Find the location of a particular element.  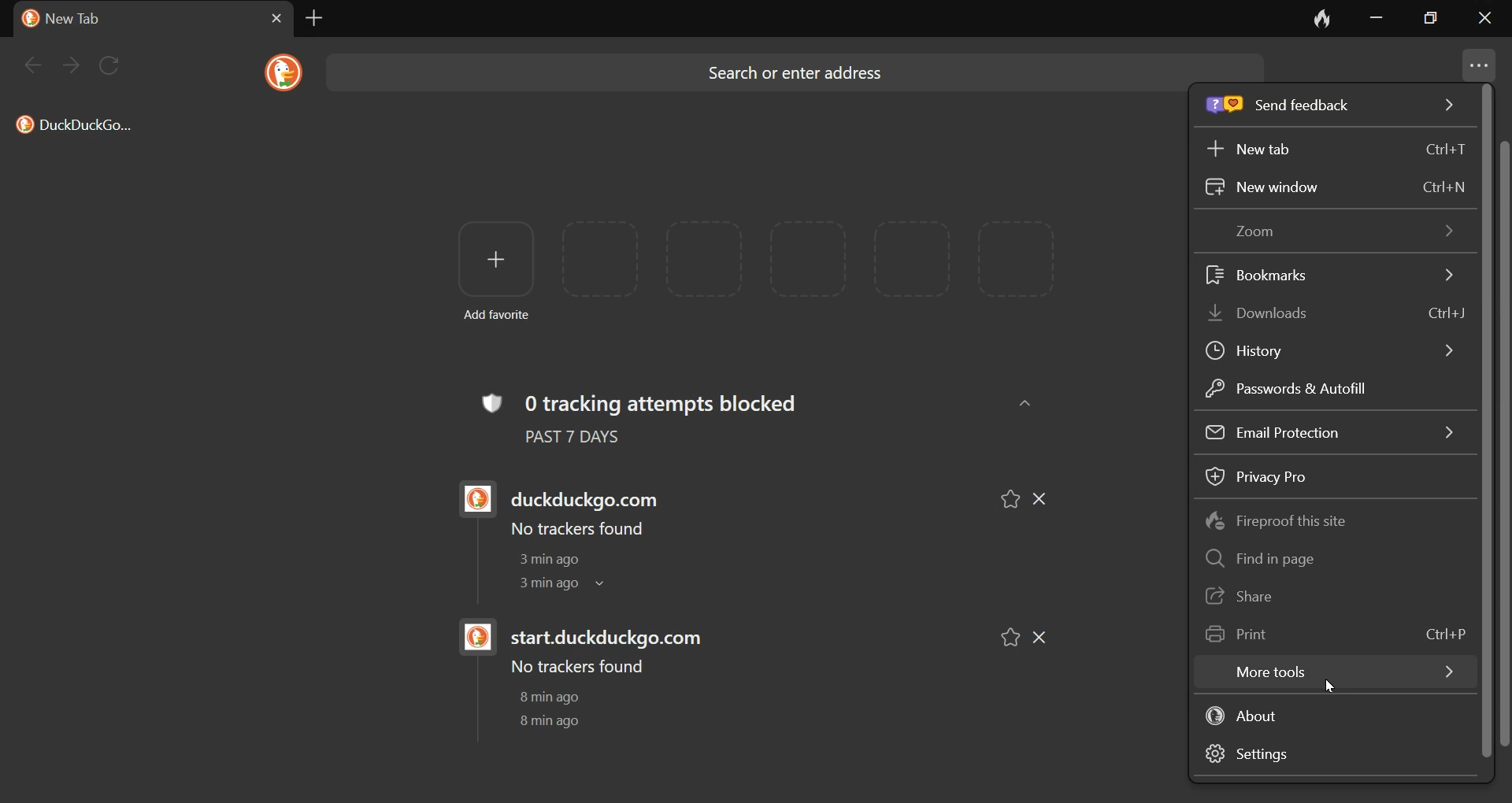

close tab and clear data is located at coordinates (1311, 18).